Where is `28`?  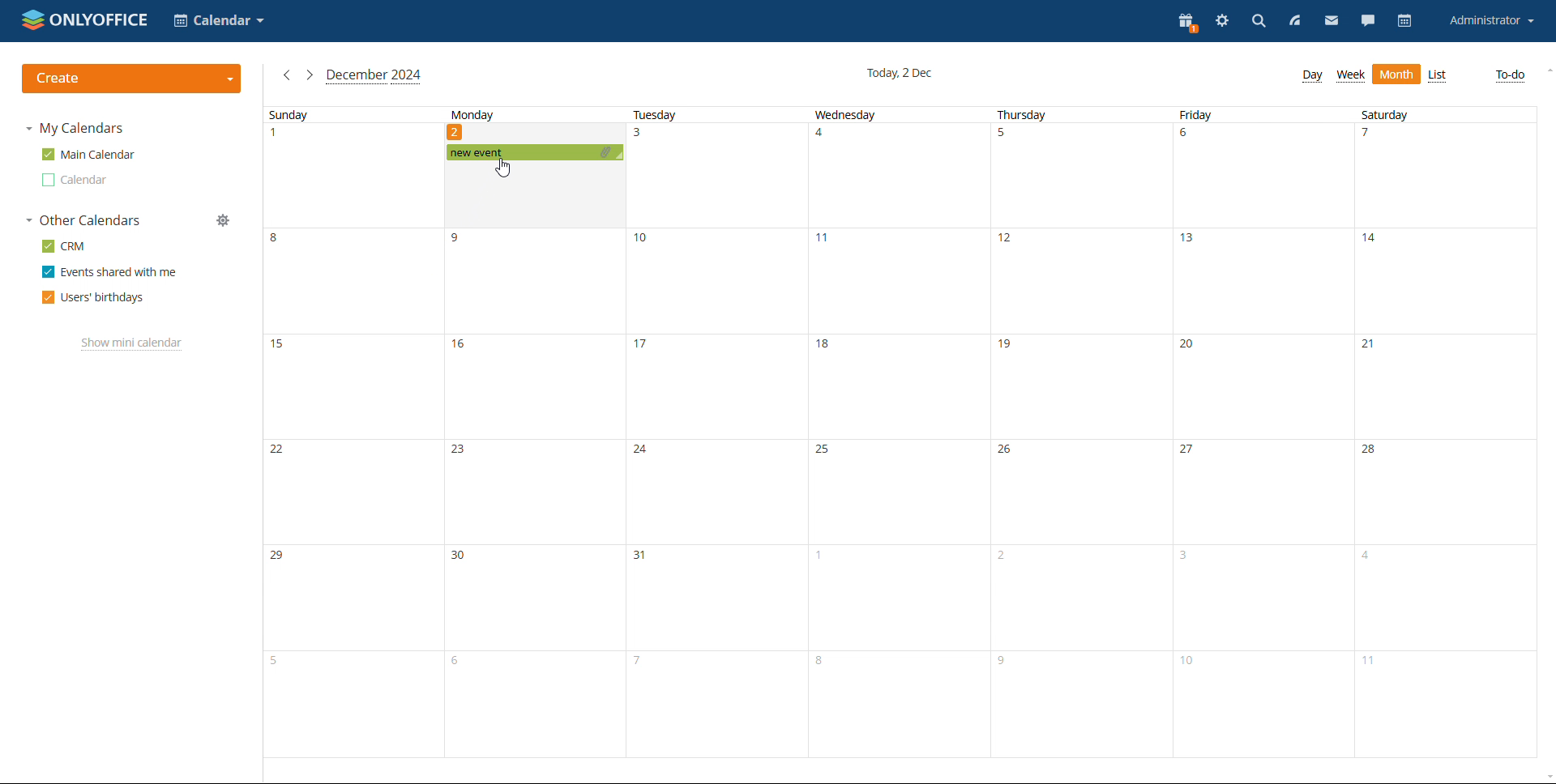 28 is located at coordinates (1373, 451).